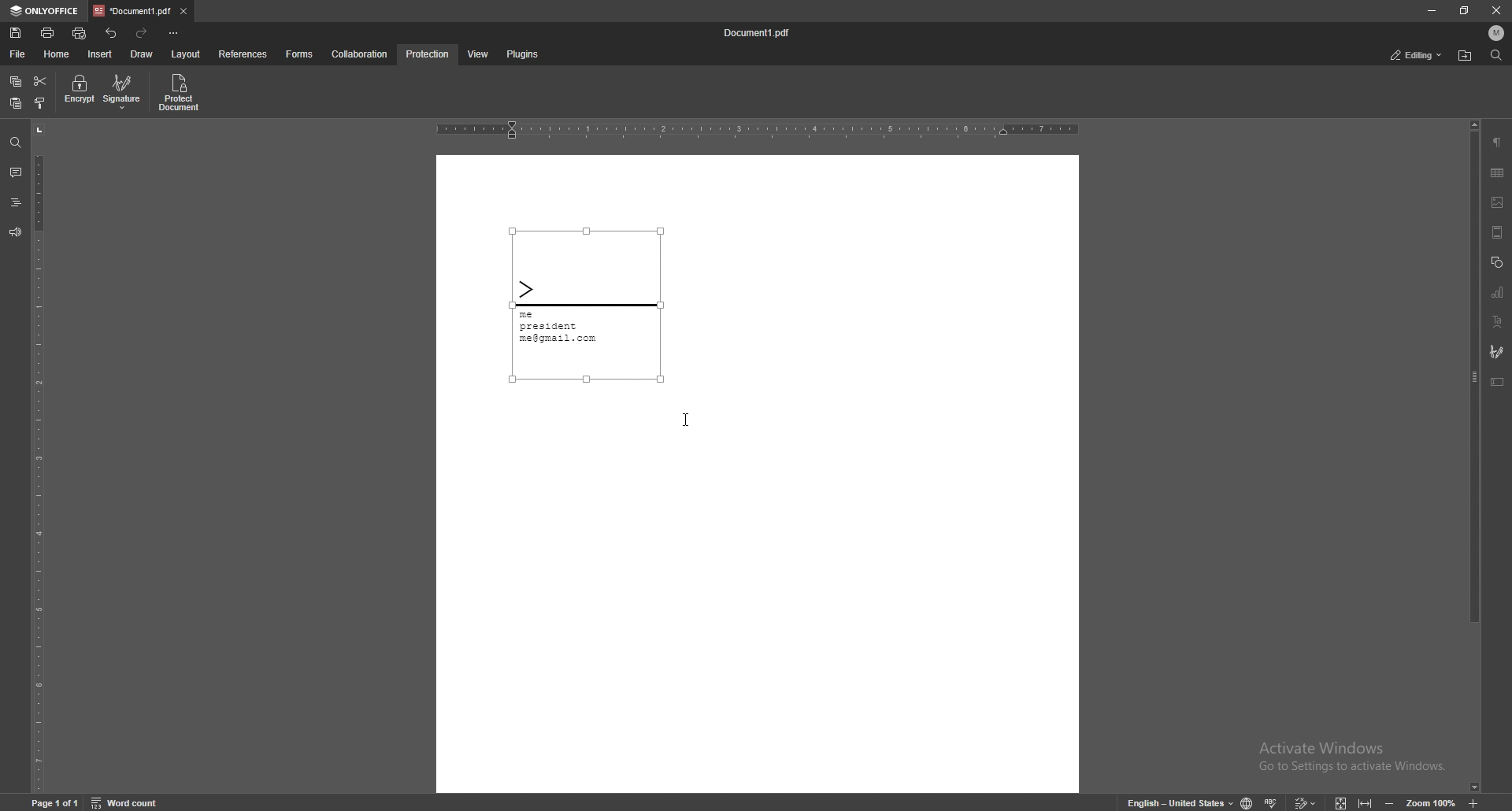  What do you see at coordinates (1465, 57) in the screenshot?
I see `locate file` at bounding box center [1465, 57].